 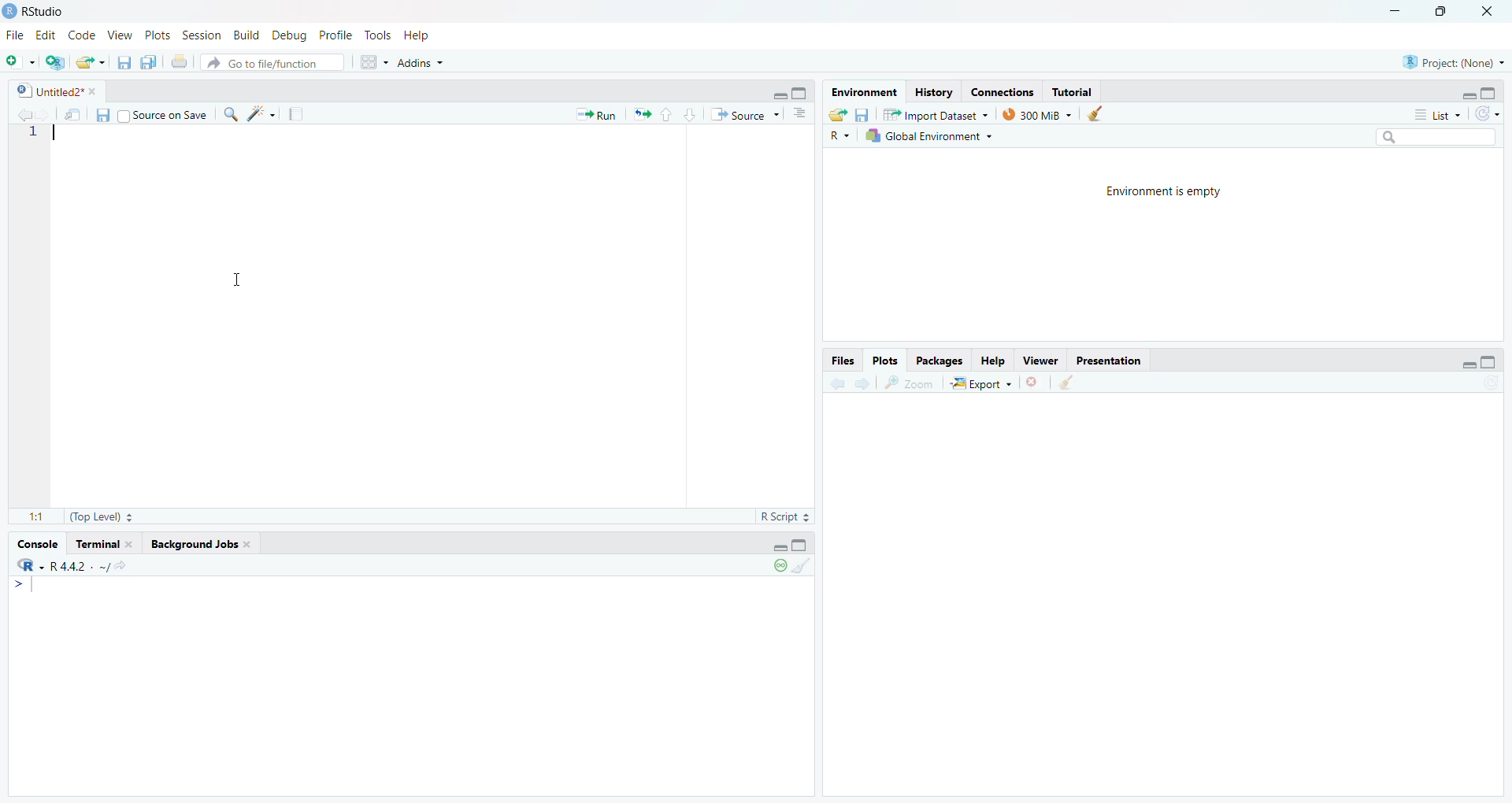 What do you see at coordinates (270, 62) in the screenshot?
I see ` Go to file/function` at bounding box center [270, 62].